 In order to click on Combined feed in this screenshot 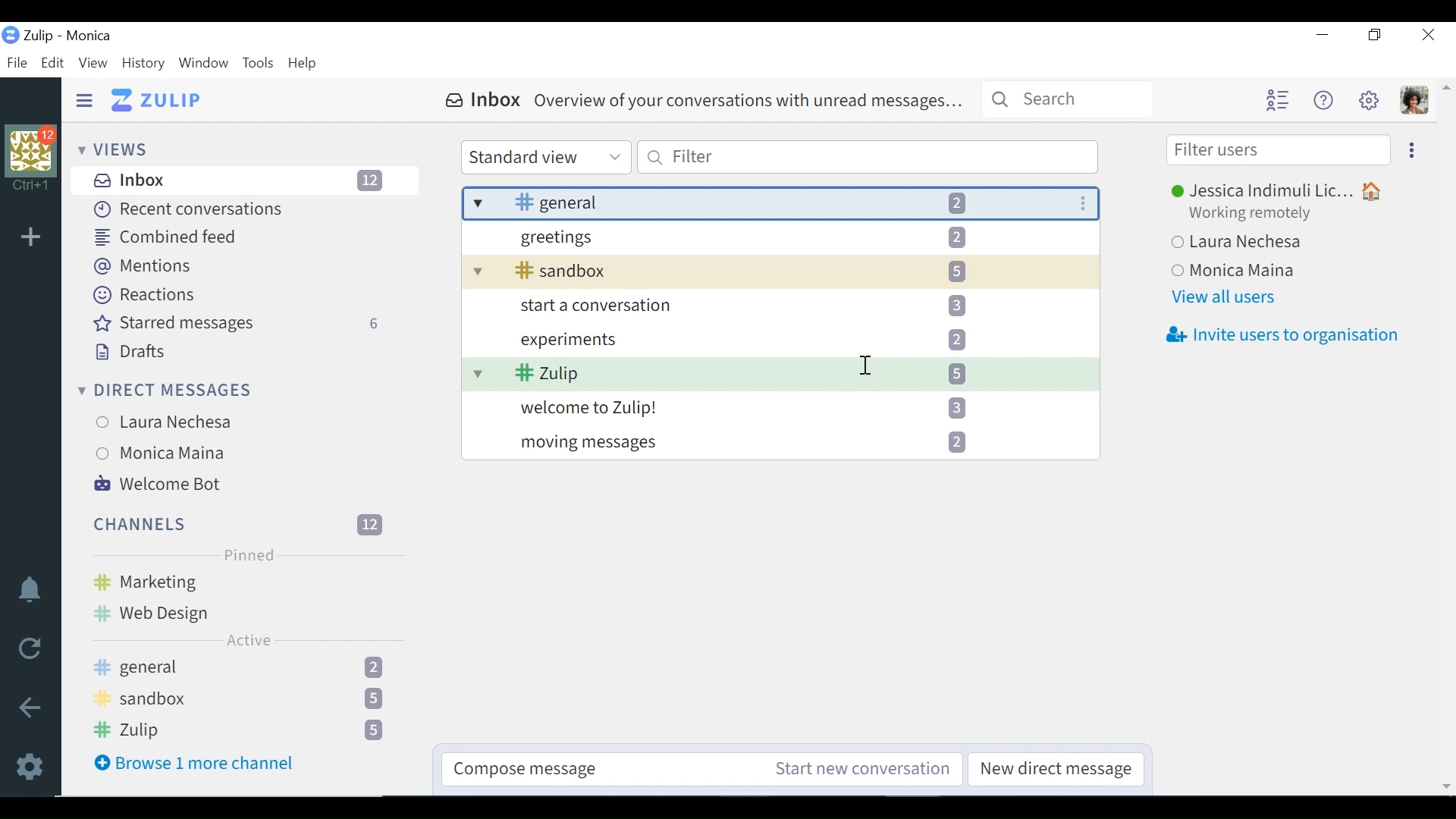, I will do `click(176, 237)`.